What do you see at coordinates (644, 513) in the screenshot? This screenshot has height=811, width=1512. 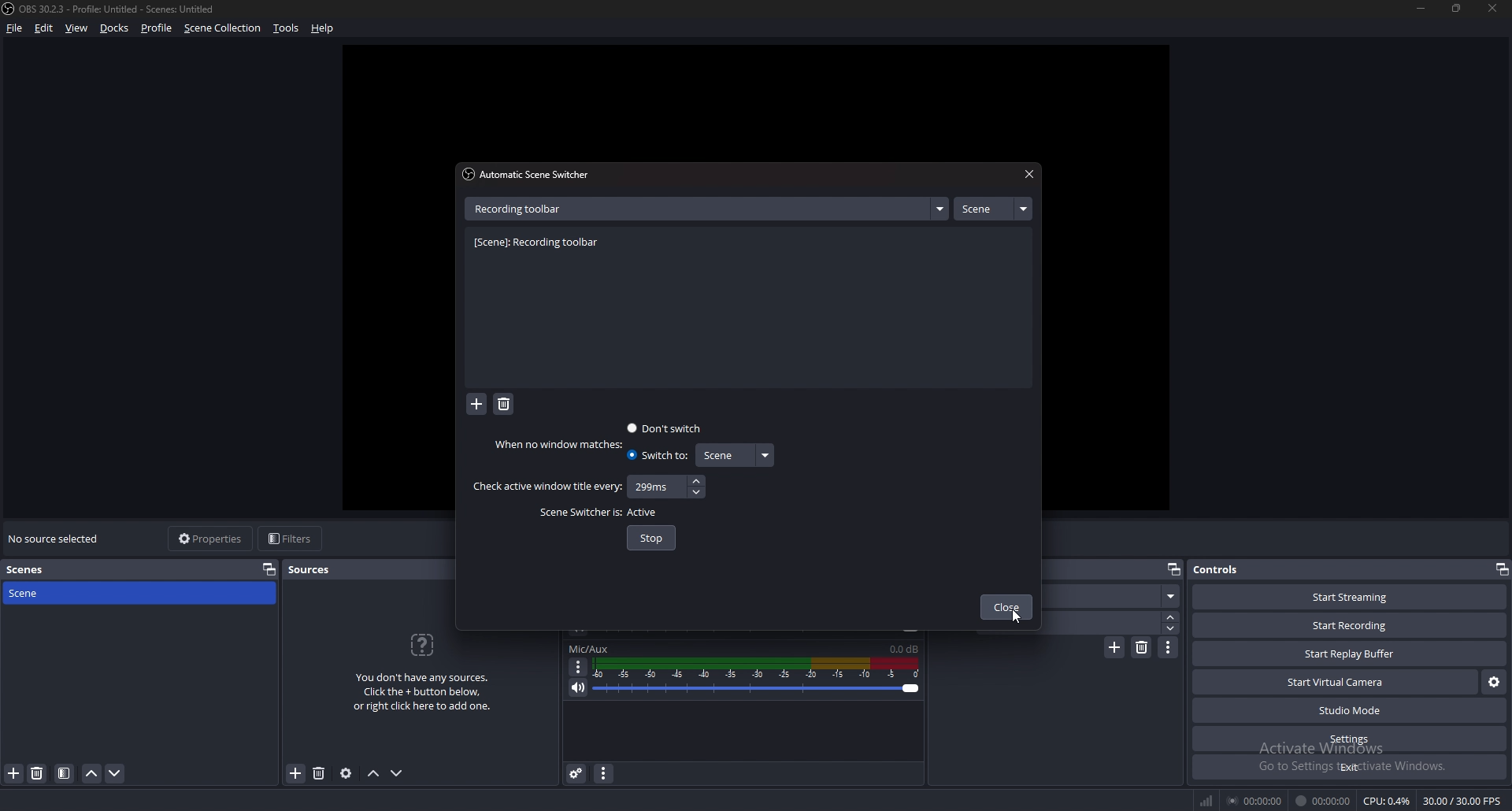 I see `active` at bounding box center [644, 513].